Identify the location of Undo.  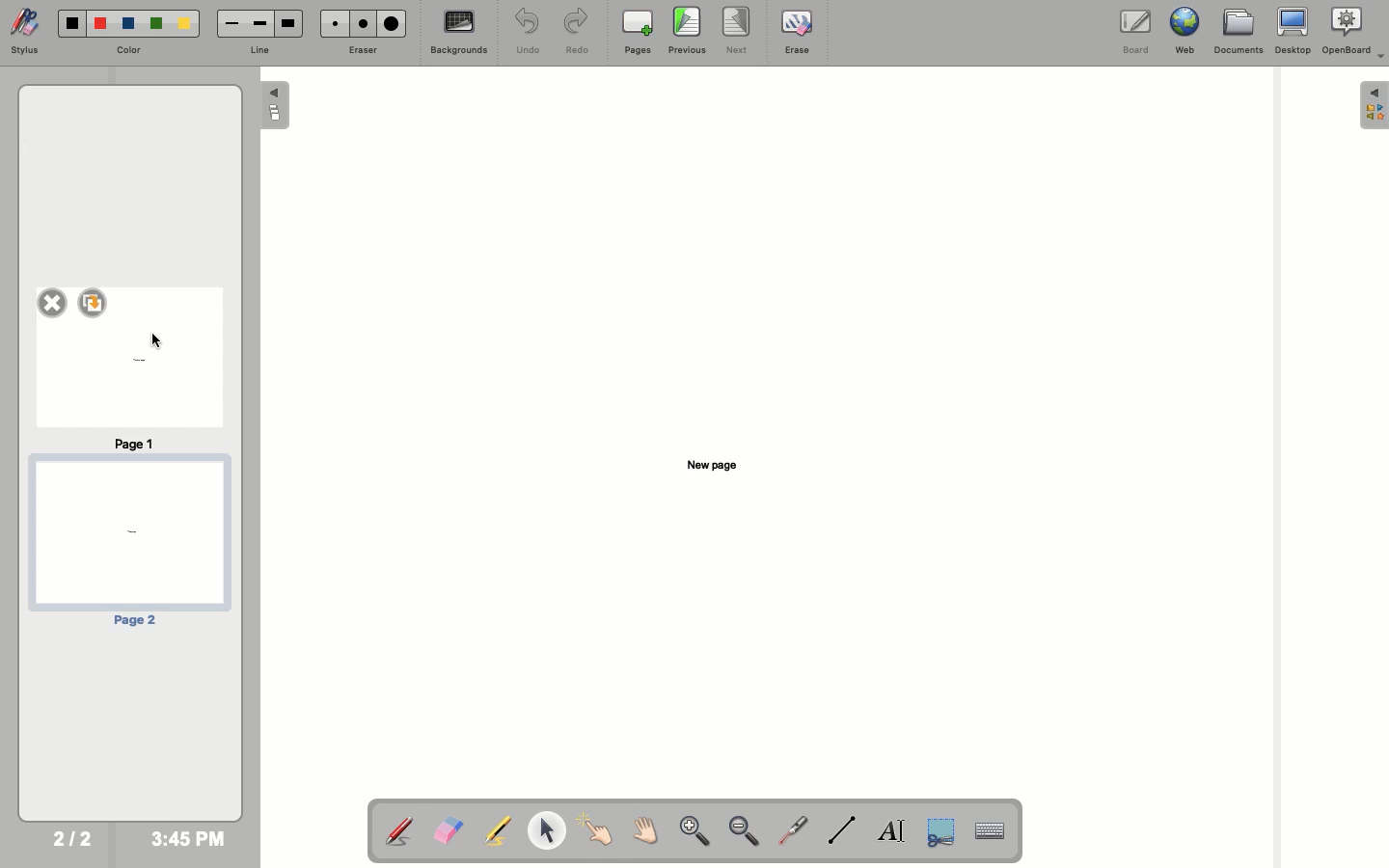
(529, 31).